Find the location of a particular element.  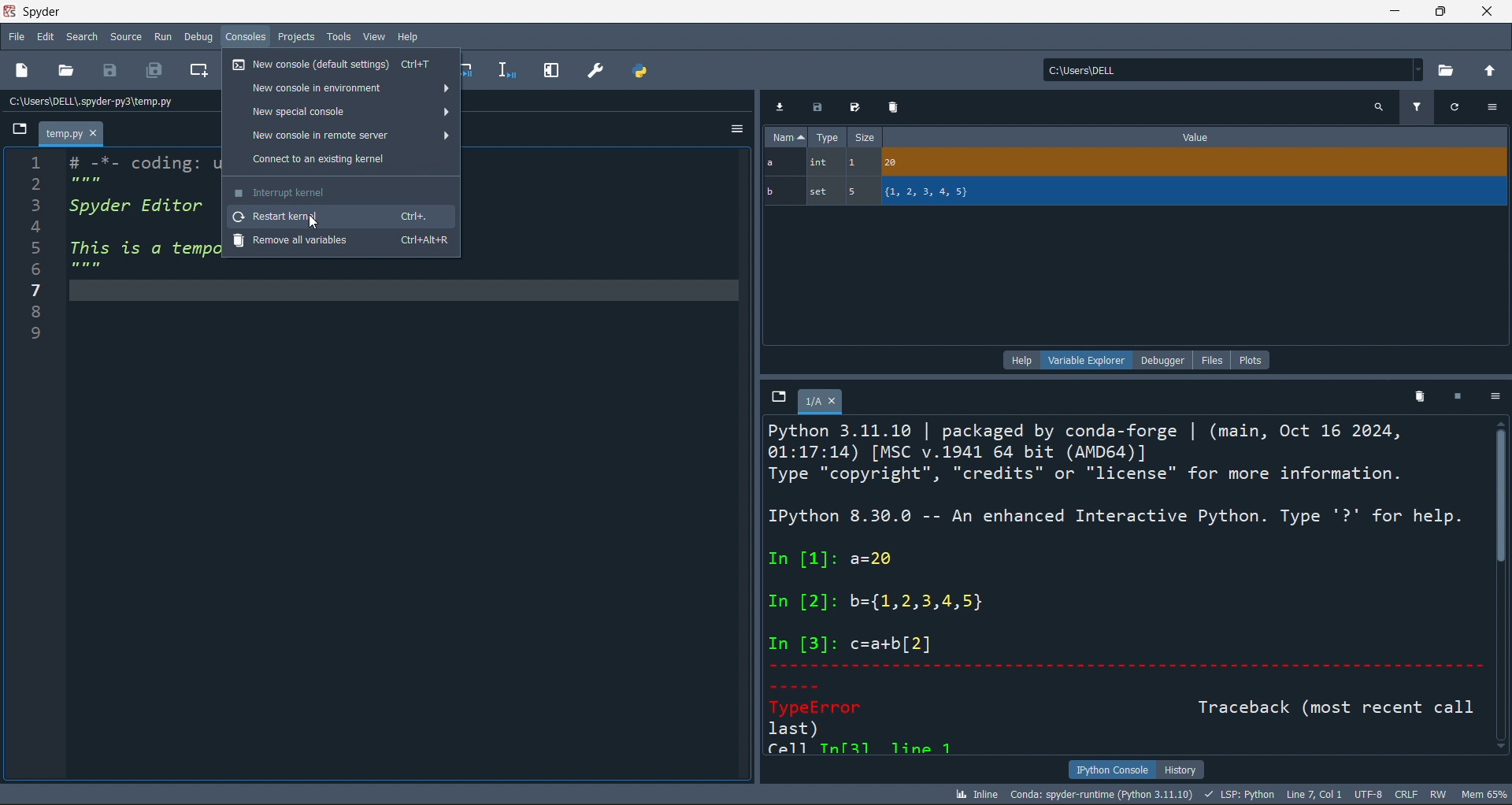

Projects is located at coordinates (298, 37).